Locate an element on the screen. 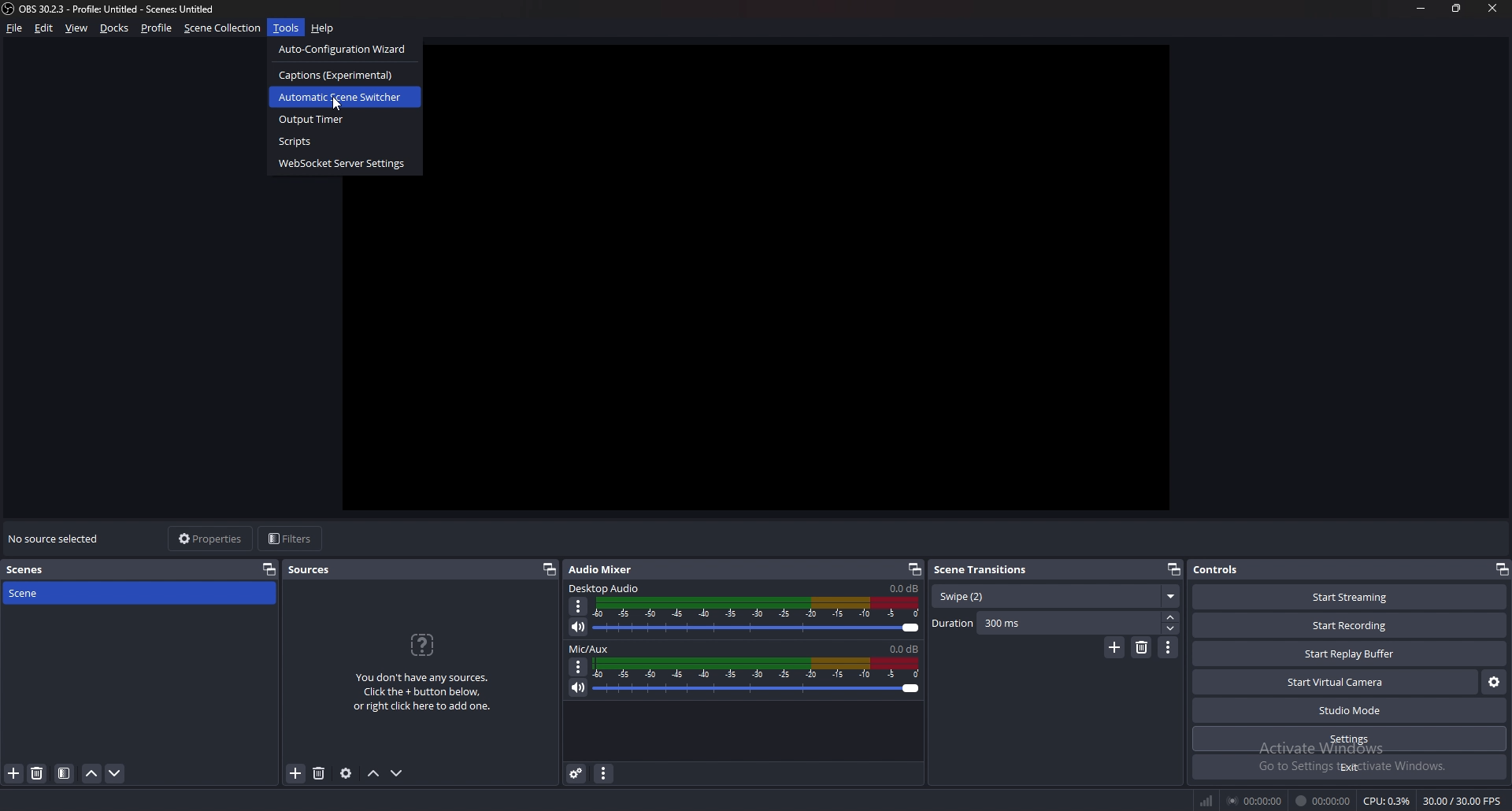  remove transition is located at coordinates (1143, 647).